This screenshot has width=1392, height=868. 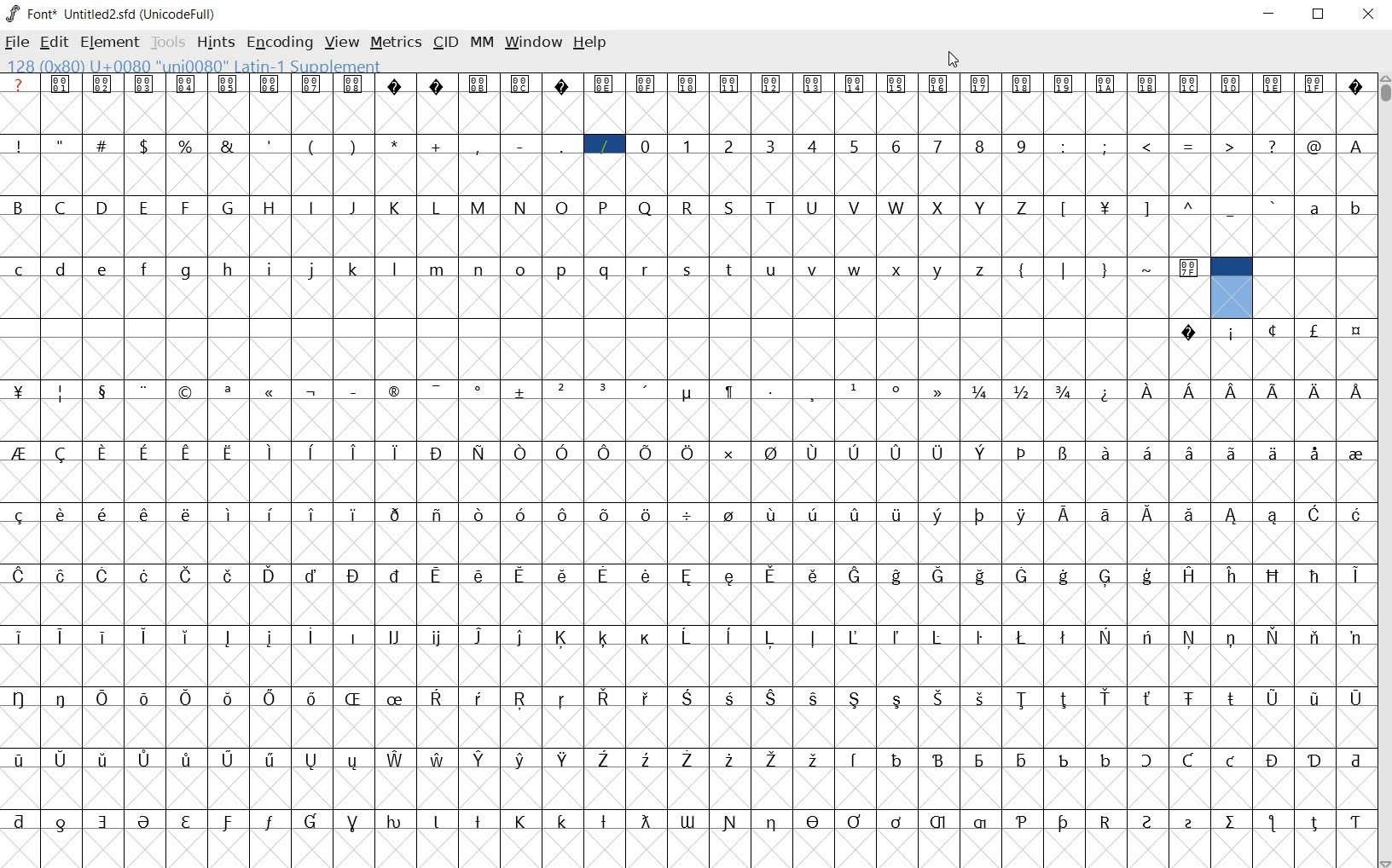 I want to click on Symbol, so click(x=687, y=758).